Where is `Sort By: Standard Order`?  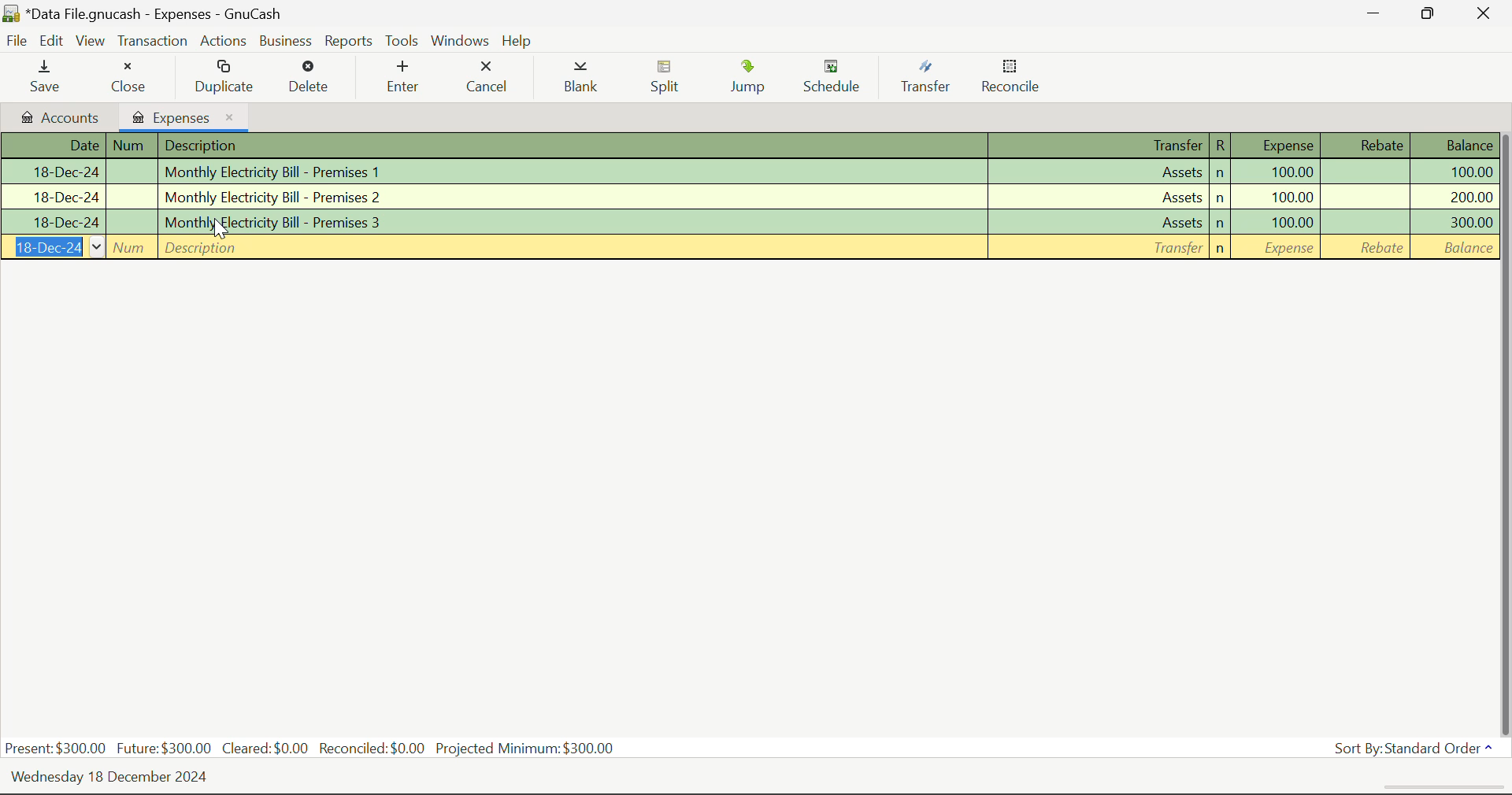 Sort By: Standard Order is located at coordinates (1414, 749).